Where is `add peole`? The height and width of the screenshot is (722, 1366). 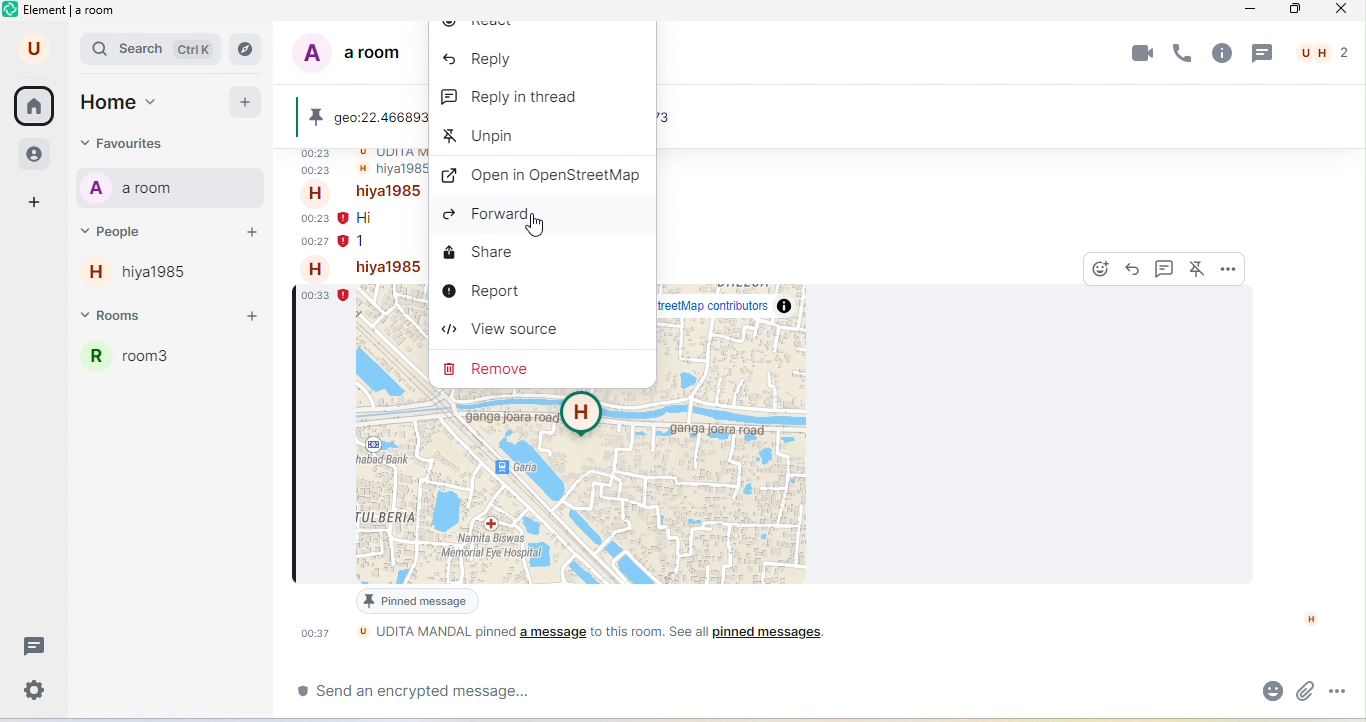
add peole is located at coordinates (250, 236).